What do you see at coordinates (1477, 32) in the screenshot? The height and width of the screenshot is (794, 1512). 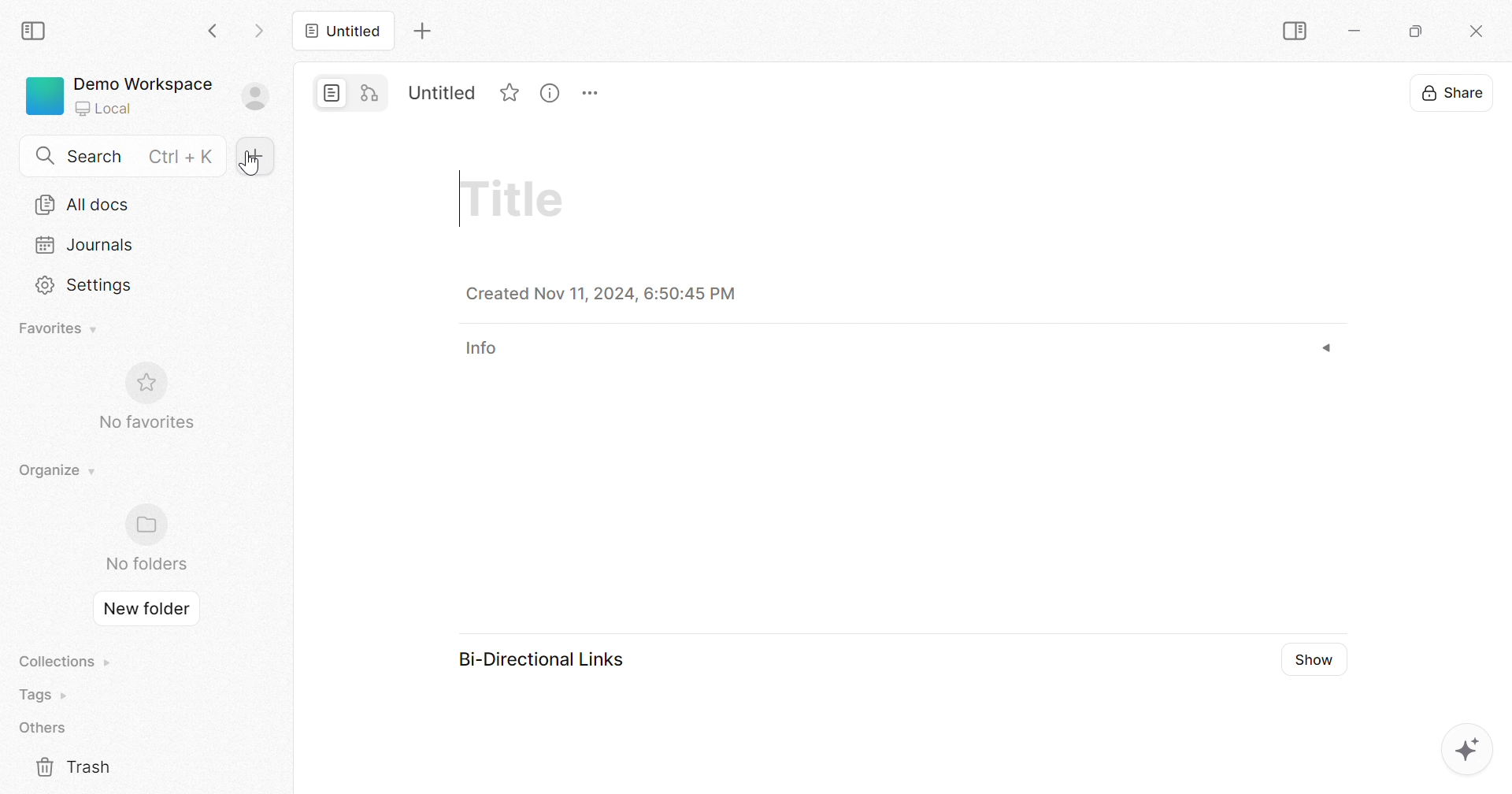 I see `Close` at bounding box center [1477, 32].